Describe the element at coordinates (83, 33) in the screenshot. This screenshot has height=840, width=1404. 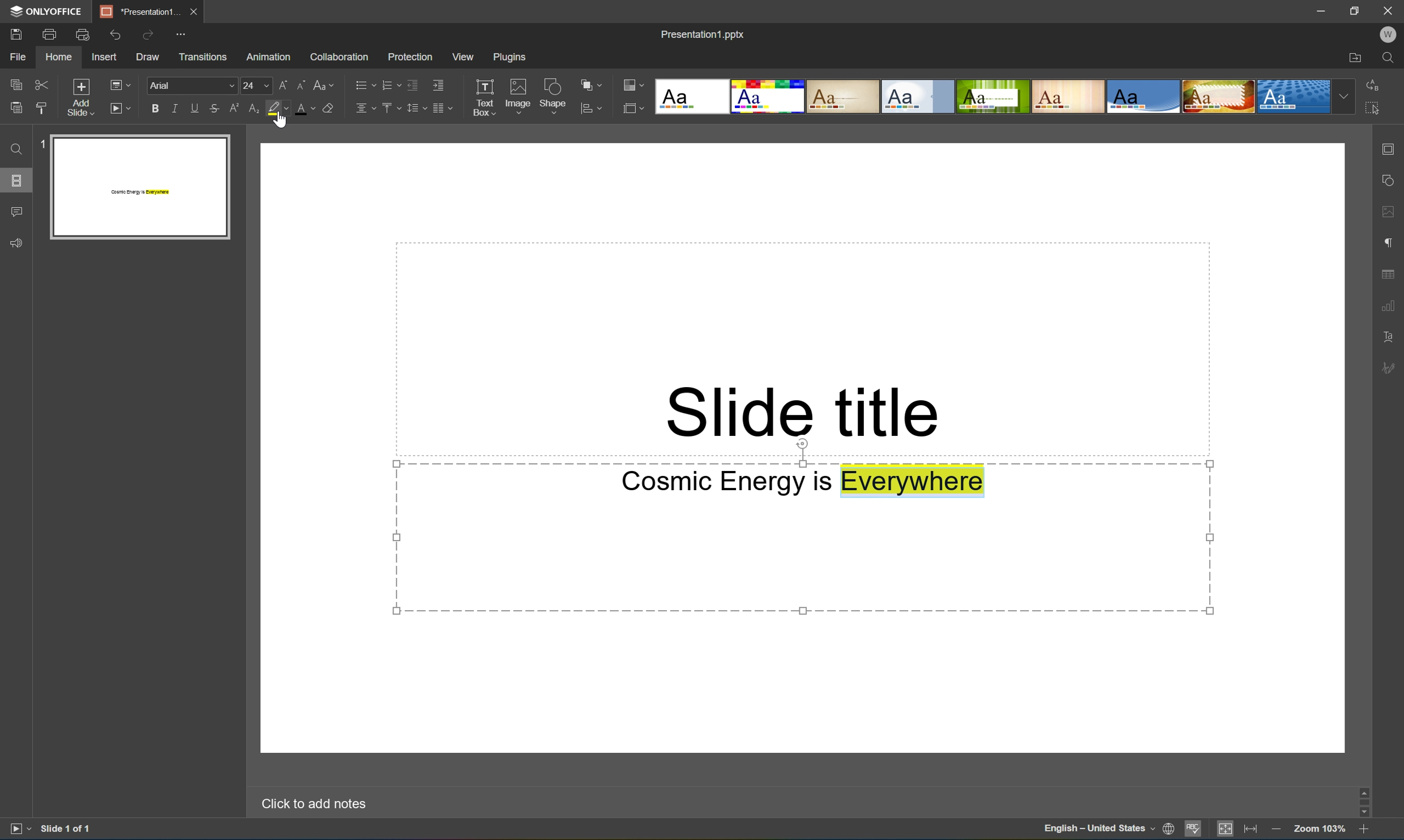
I see `Quick print` at that location.